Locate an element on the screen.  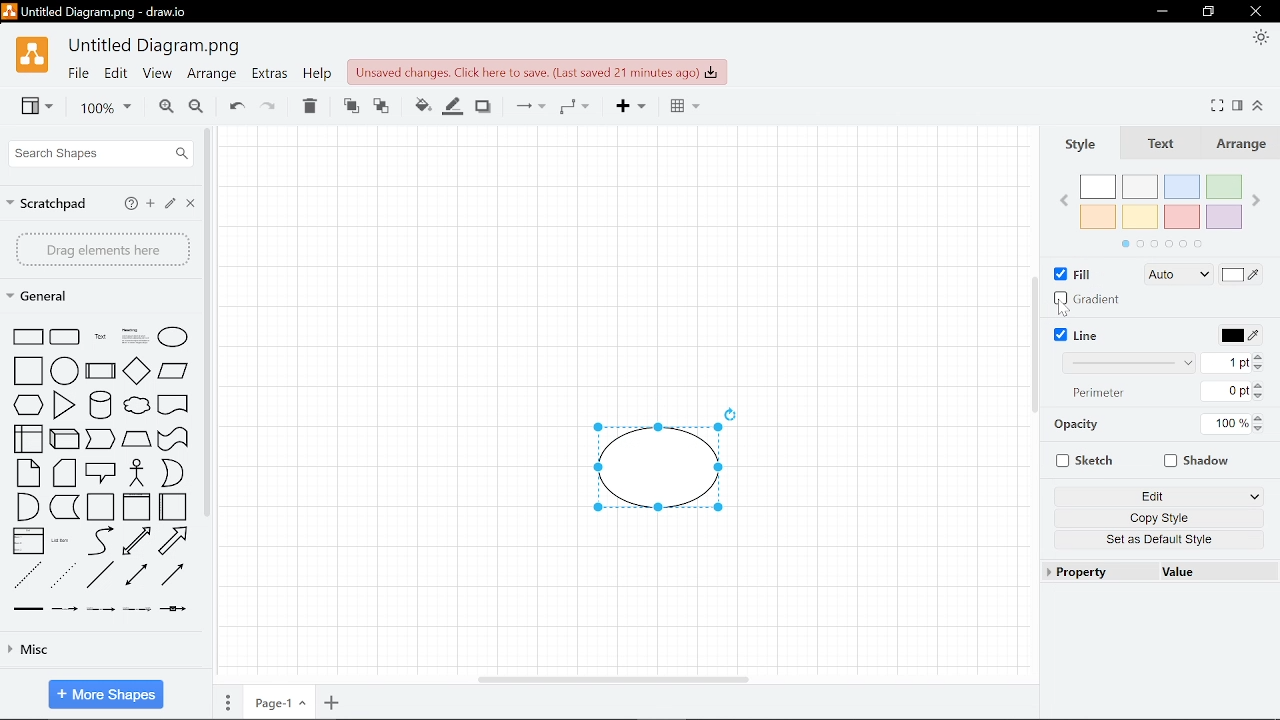
Current diagram is located at coordinates (662, 491).